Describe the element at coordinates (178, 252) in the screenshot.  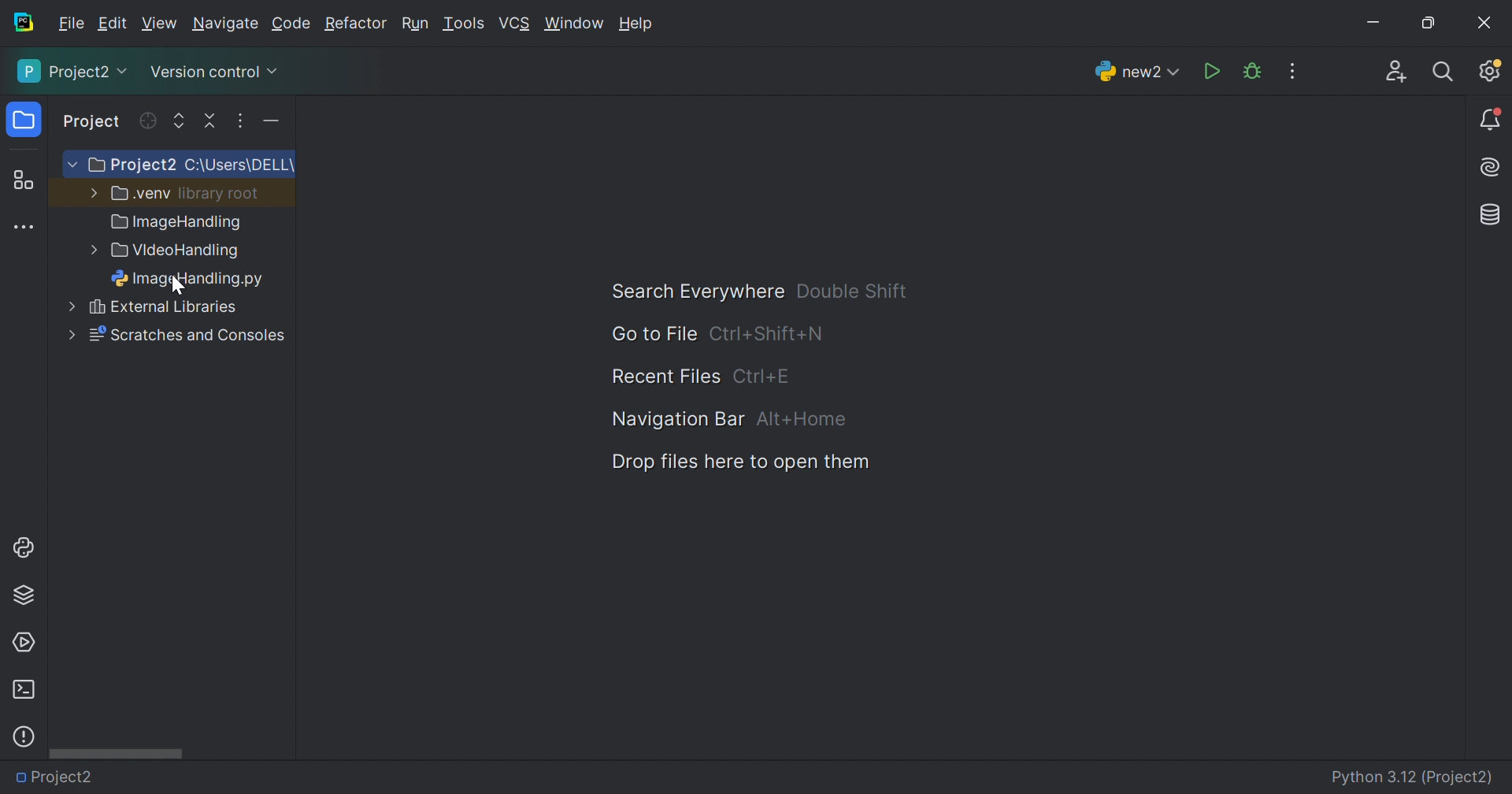
I see `VideoHandling` at that location.